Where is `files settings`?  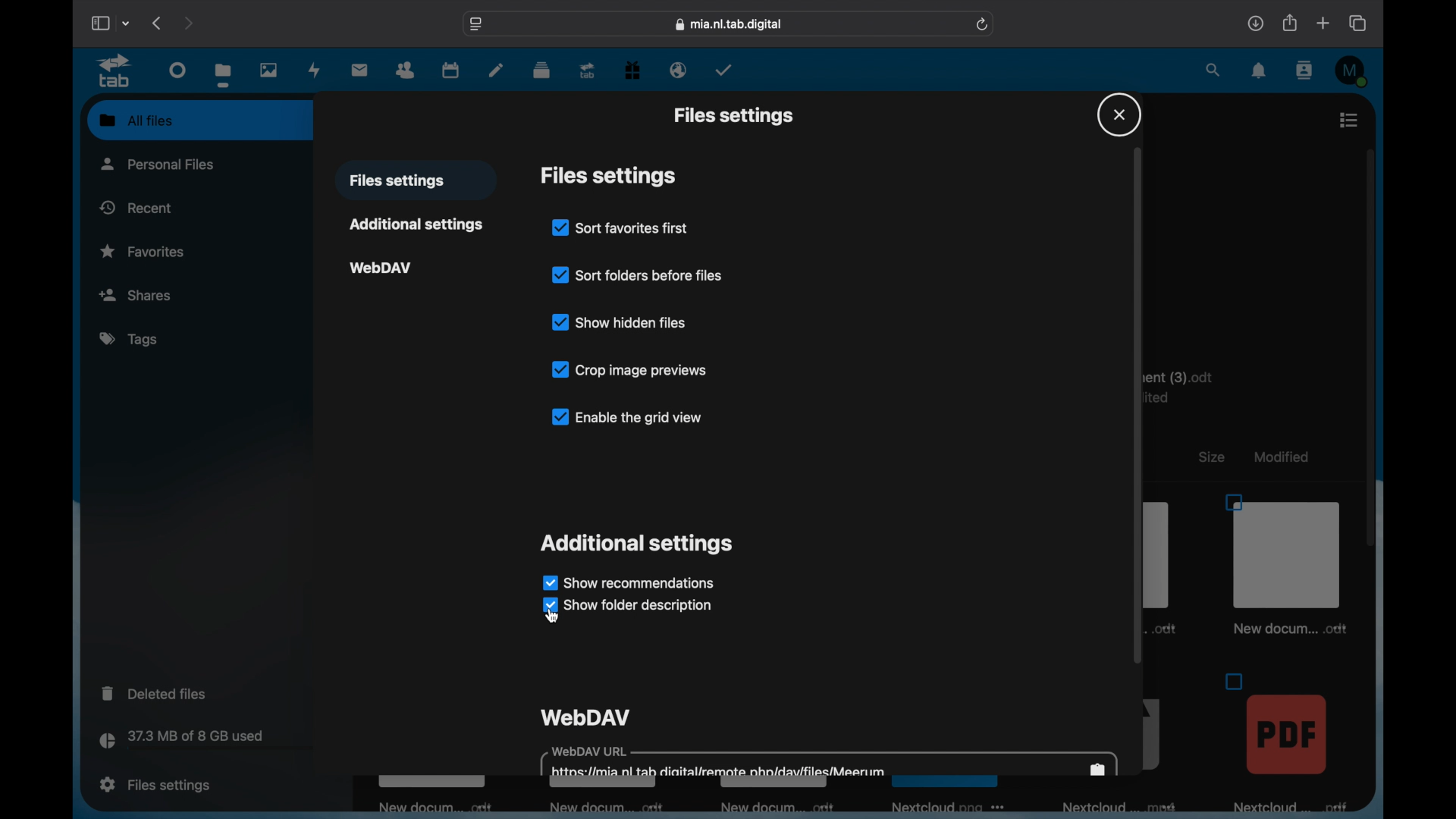
files settings is located at coordinates (155, 785).